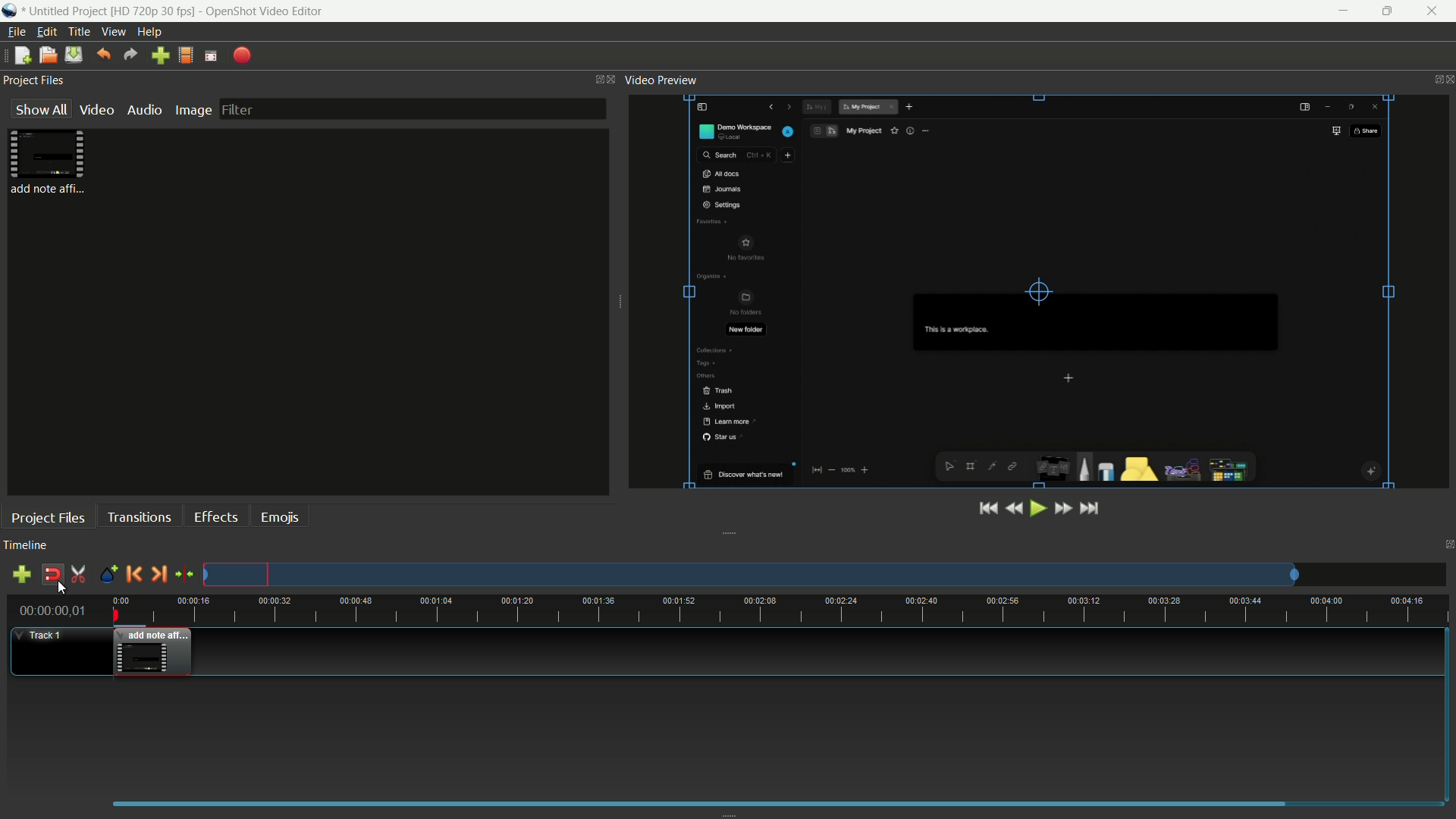 This screenshot has width=1456, height=819. What do you see at coordinates (699, 801) in the screenshot?
I see `scrollbar` at bounding box center [699, 801].